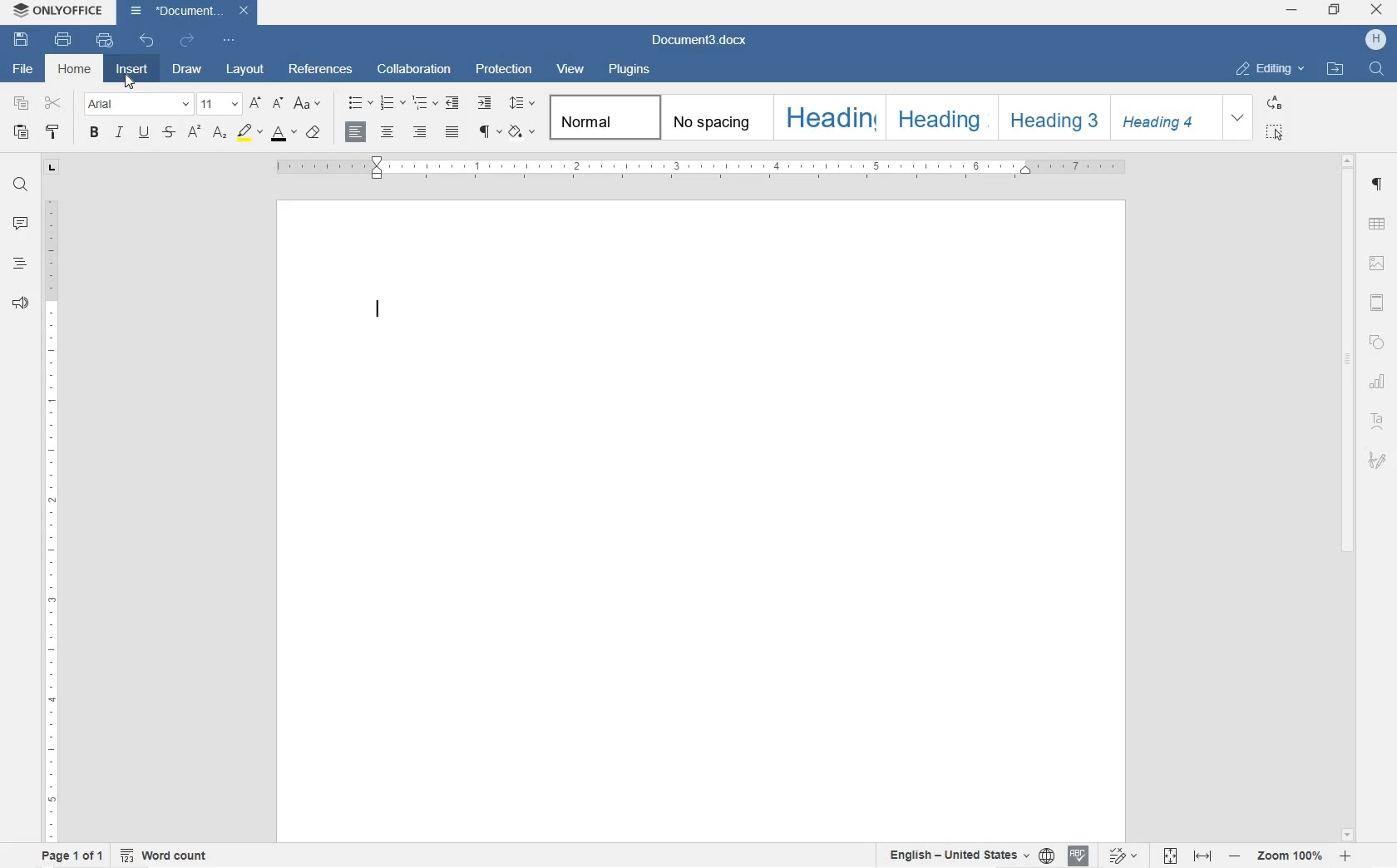 This screenshot has width=1397, height=868. Describe the element at coordinates (168, 132) in the screenshot. I see `STRIKETHROUGH` at that location.